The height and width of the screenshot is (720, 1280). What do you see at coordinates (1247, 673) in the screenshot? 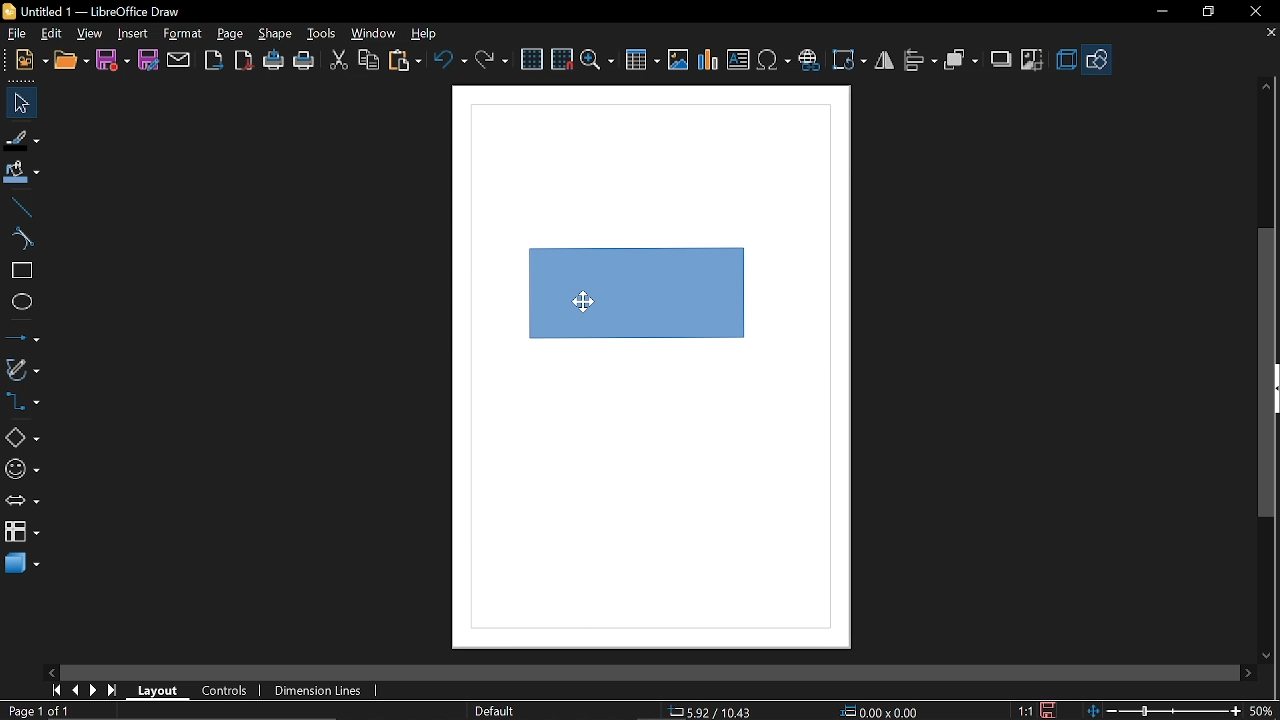
I see `Move right` at bounding box center [1247, 673].